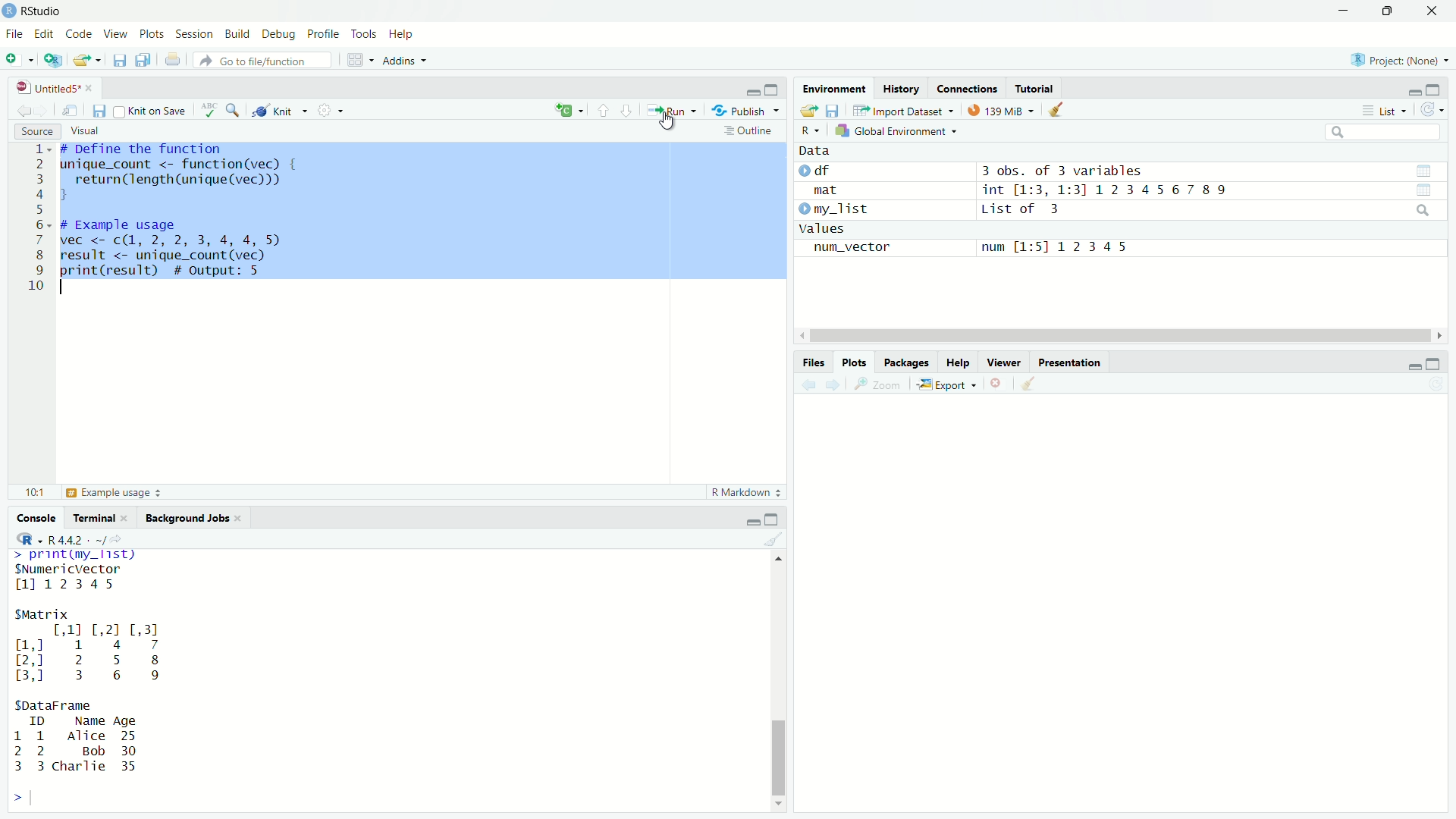 The height and width of the screenshot is (819, 1456). What do you see at coordinates (1422, 210) in the screenshot?
I see `search` at bounding box center [1422, 210].